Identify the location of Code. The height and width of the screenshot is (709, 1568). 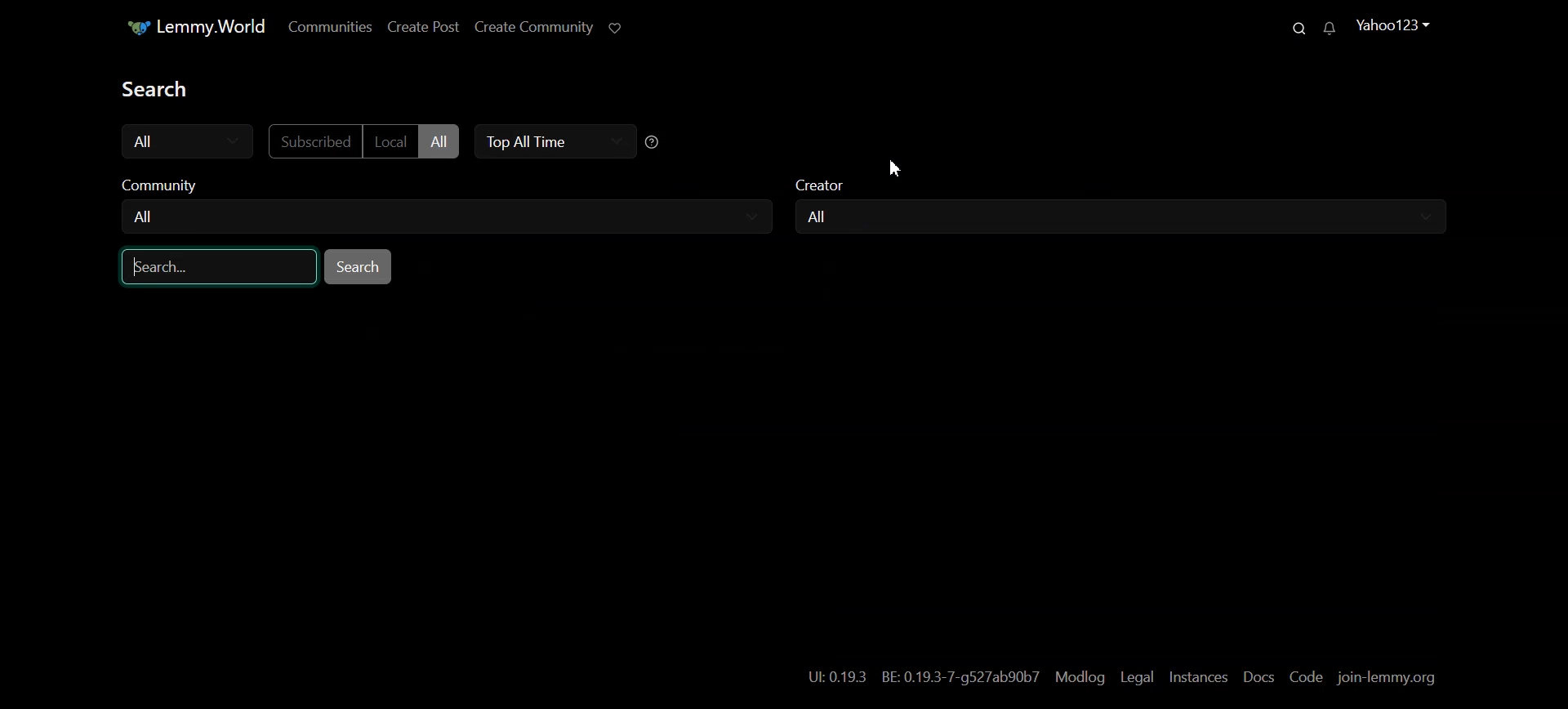
(1307, 676).